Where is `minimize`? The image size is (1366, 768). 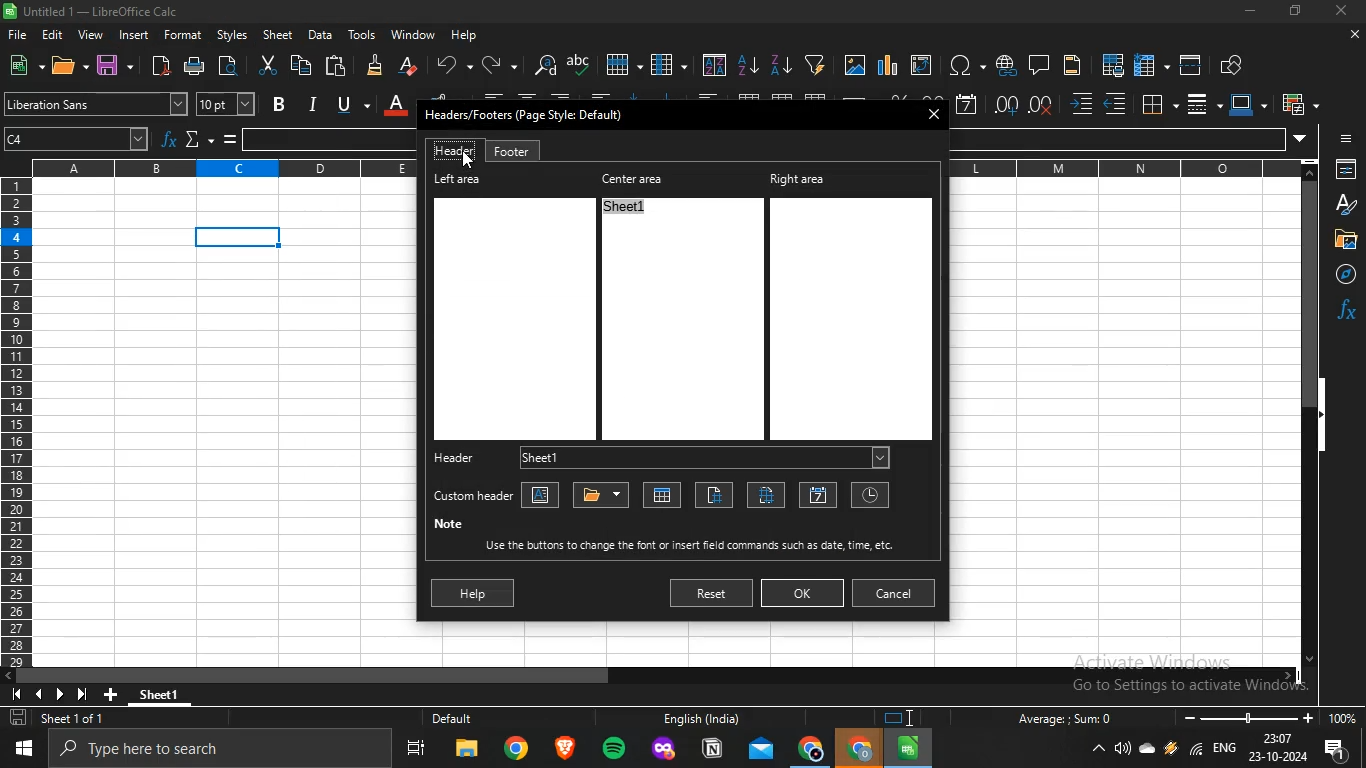 minimize is located at coordinates (1247, 11).